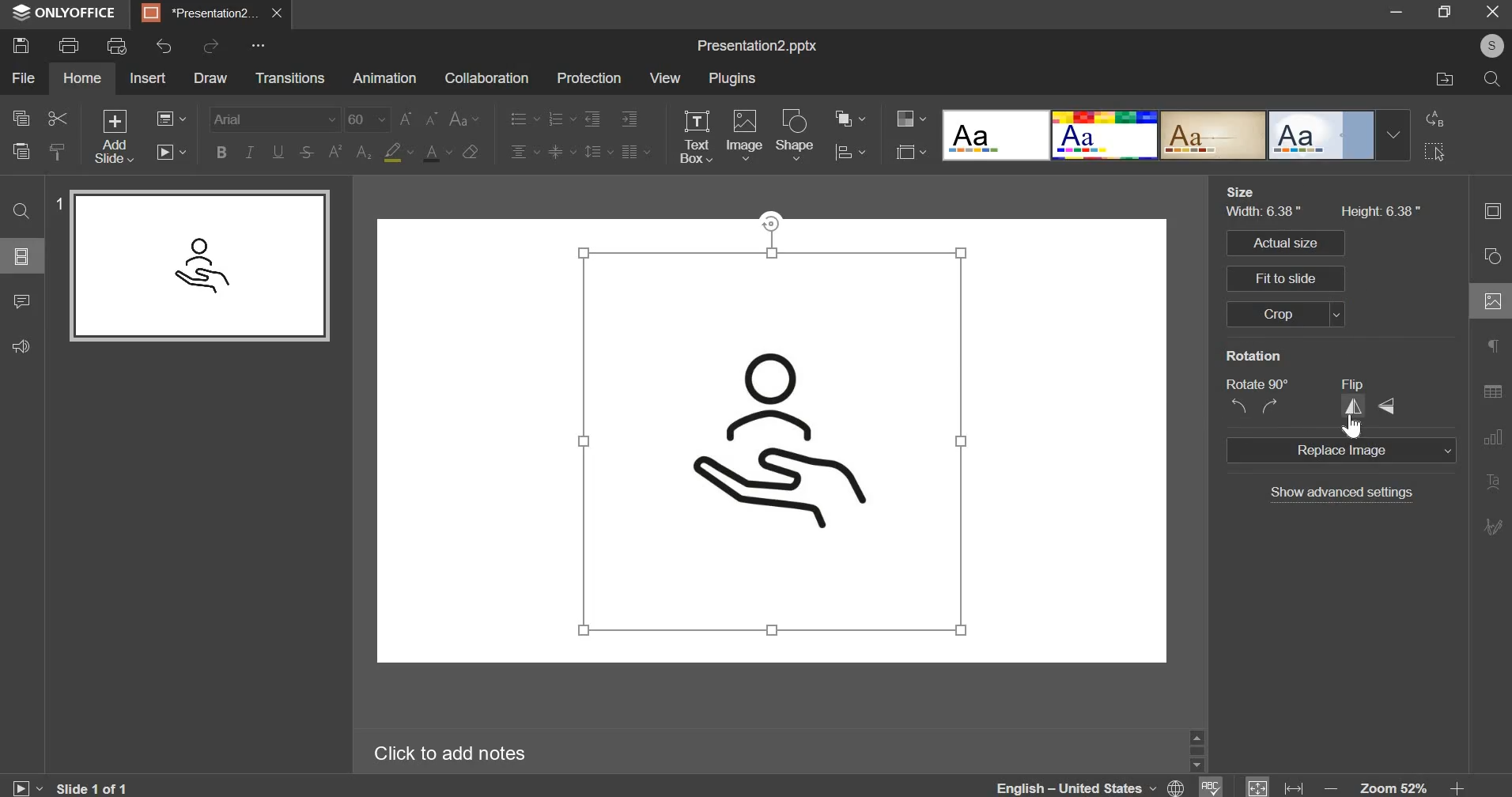 This screenshot has width=1512, height=797. Describe the element at coordinates (1196, 750) in the screenshot. I see `vertical slider` at that location.